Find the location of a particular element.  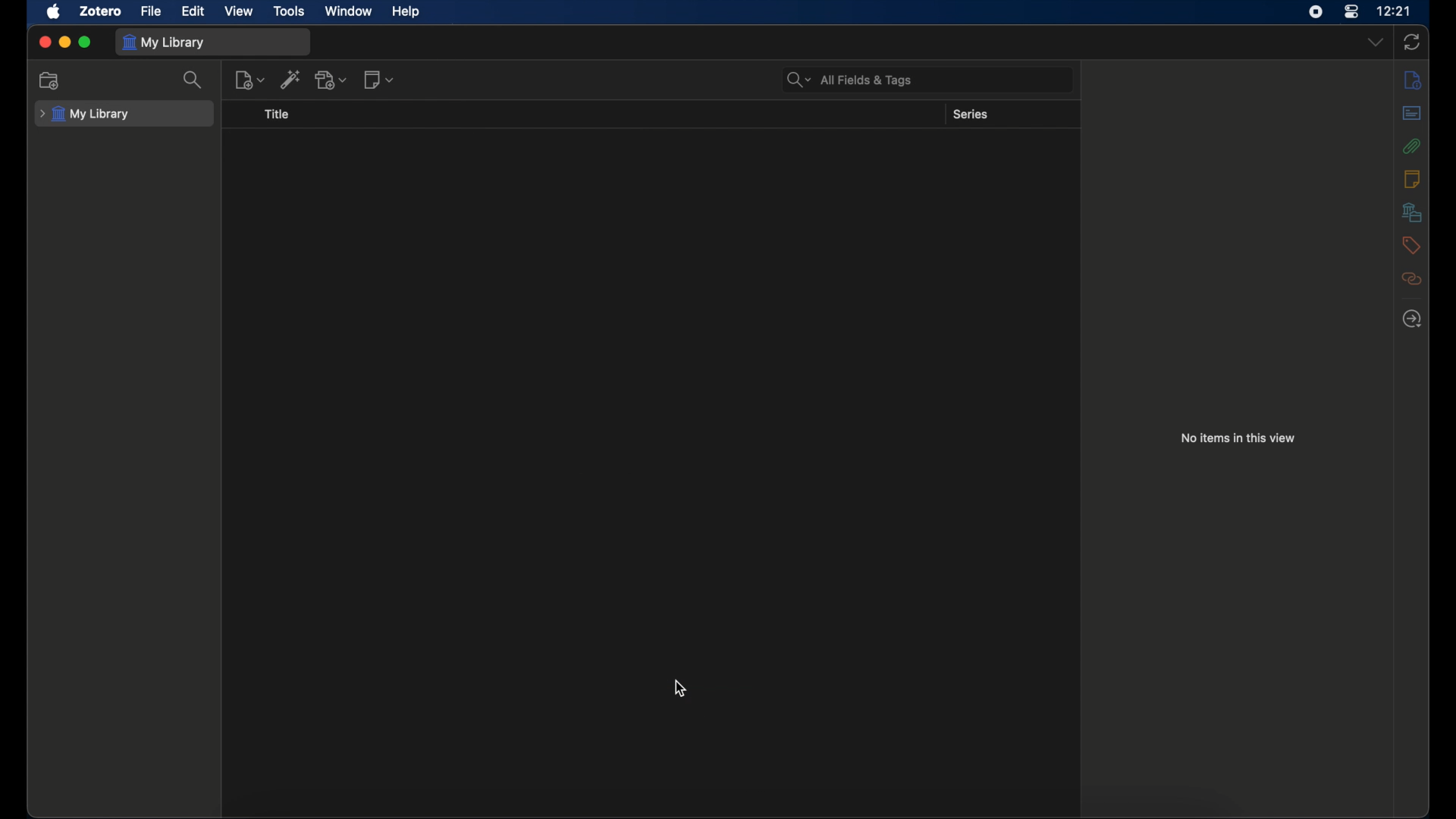

attachments is located at coordinates (1411, 146).